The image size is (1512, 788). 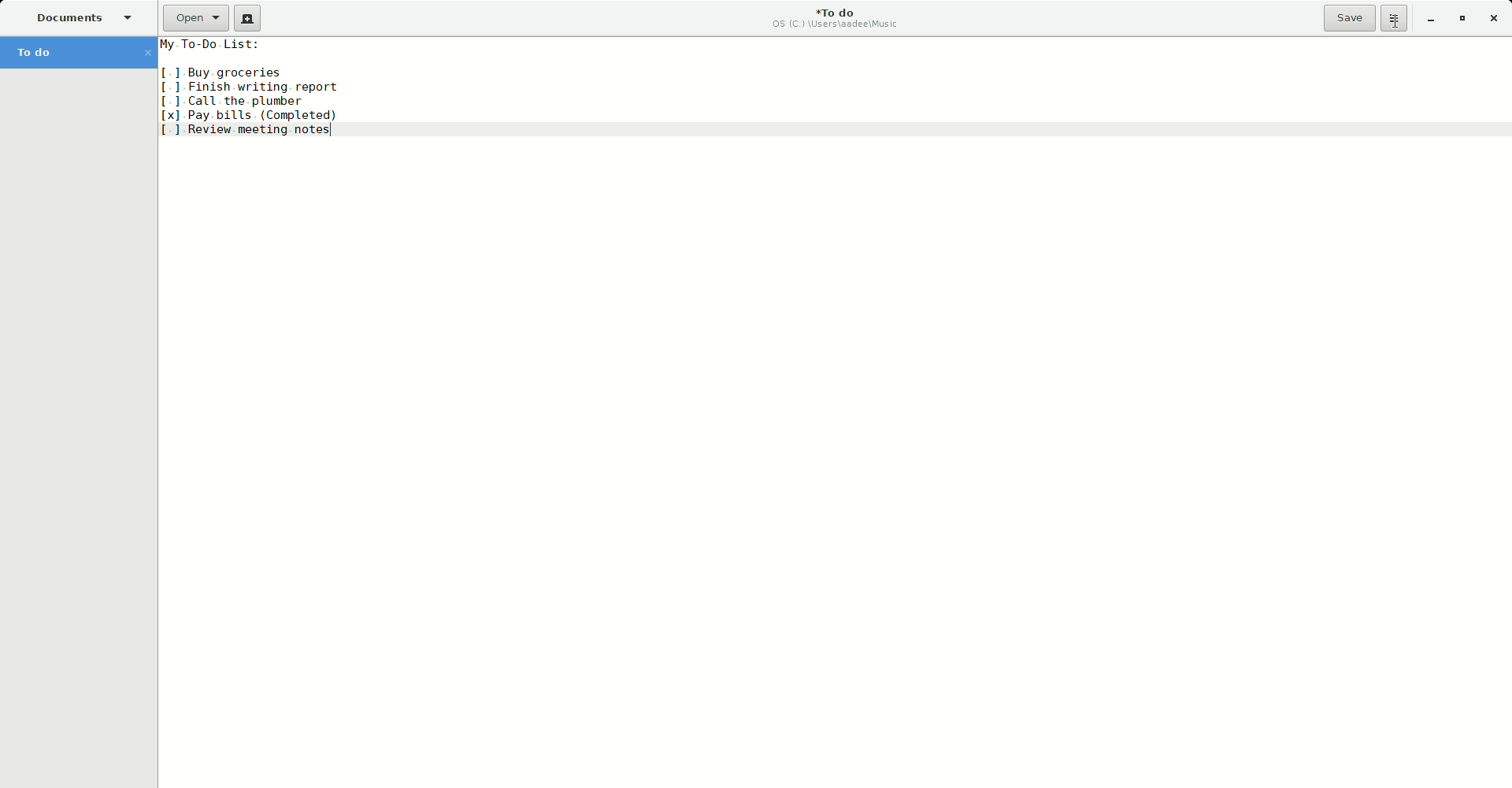 I want to click on cursor, so click(x=1397, y=28).